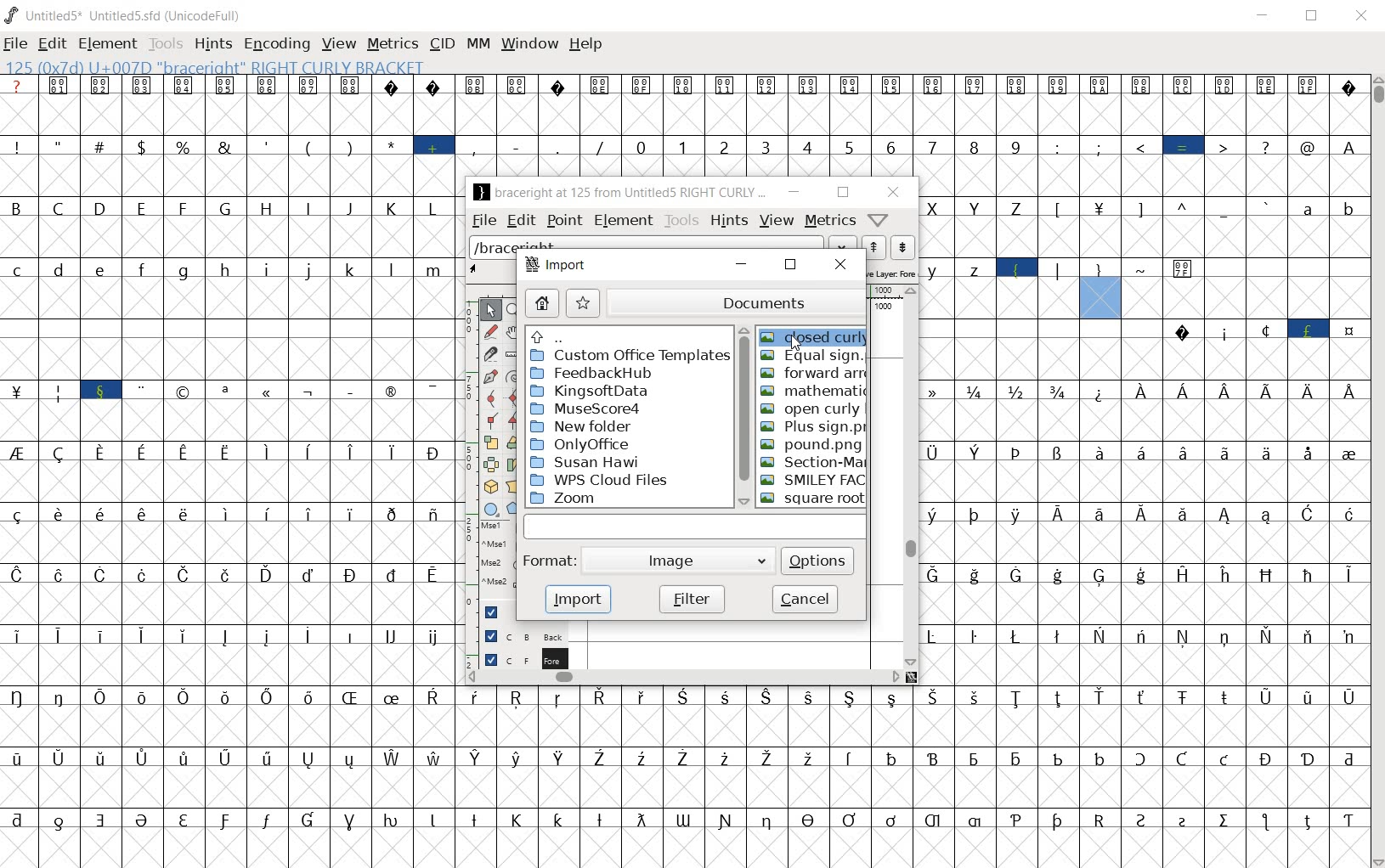  What do you see at coordinates (744, 265) in the screenshot?
I see `minimize` at bounding box center [744, 265].